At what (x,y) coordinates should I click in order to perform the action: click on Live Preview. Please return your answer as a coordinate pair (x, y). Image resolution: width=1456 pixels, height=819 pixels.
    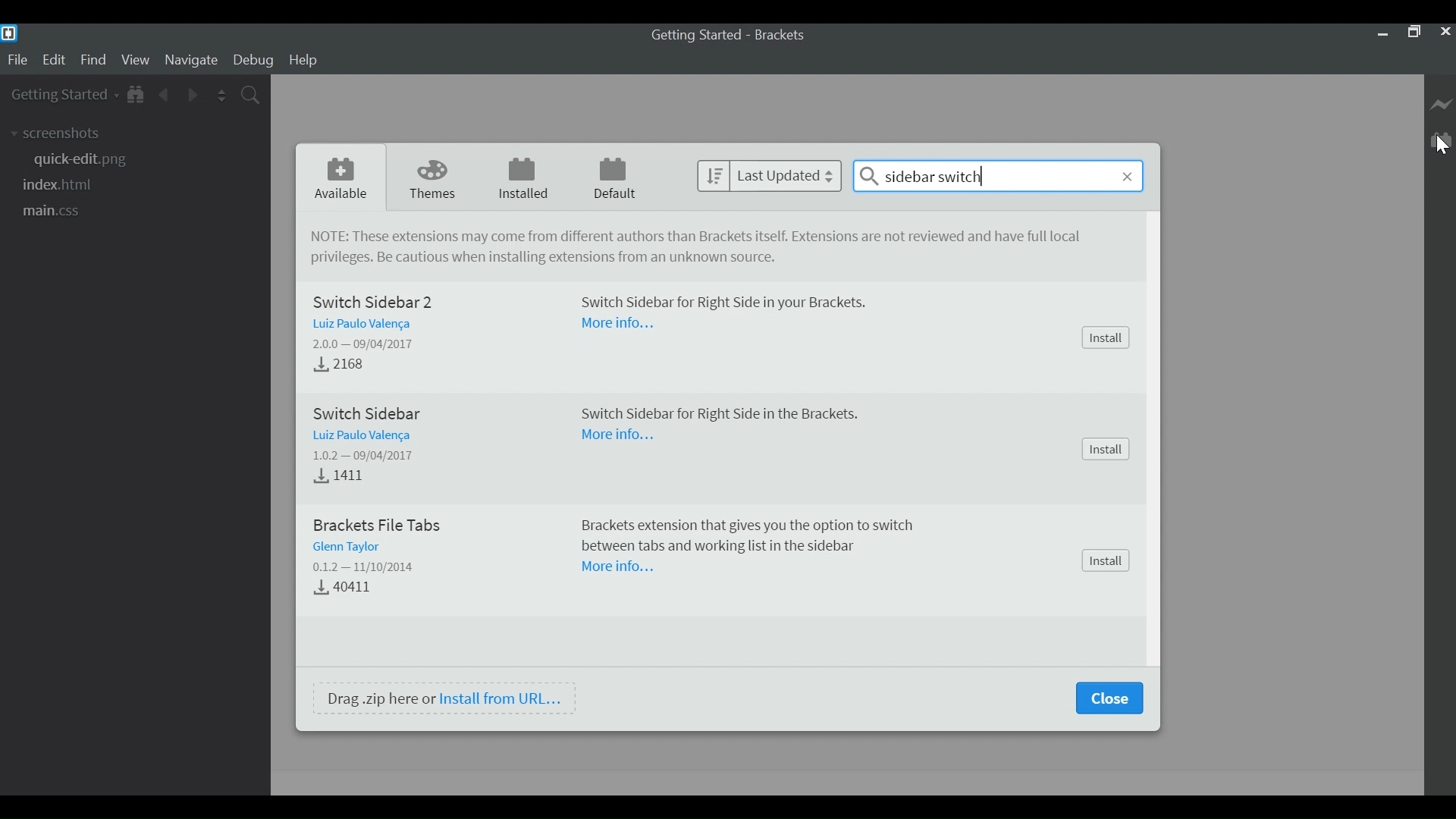
    Looking at the image, I should click on (1441, 106).